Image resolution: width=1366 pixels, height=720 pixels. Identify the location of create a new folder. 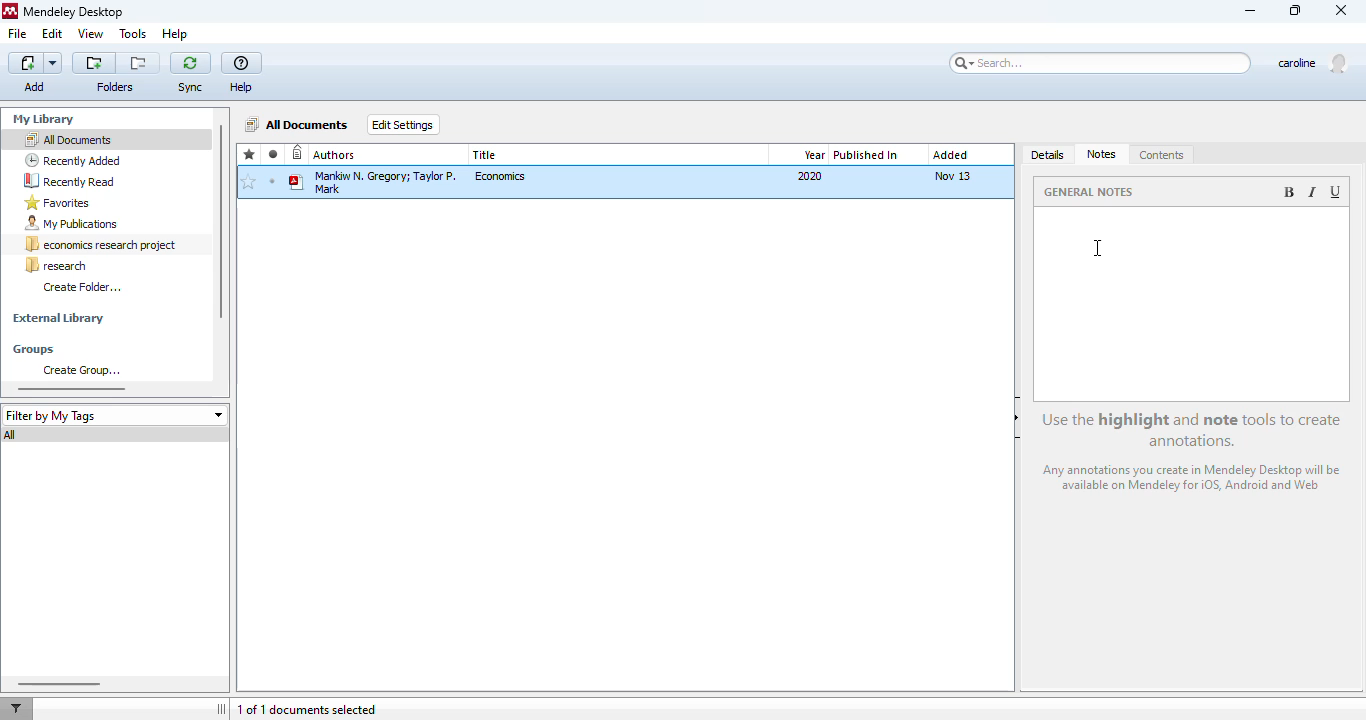
(94, 63).